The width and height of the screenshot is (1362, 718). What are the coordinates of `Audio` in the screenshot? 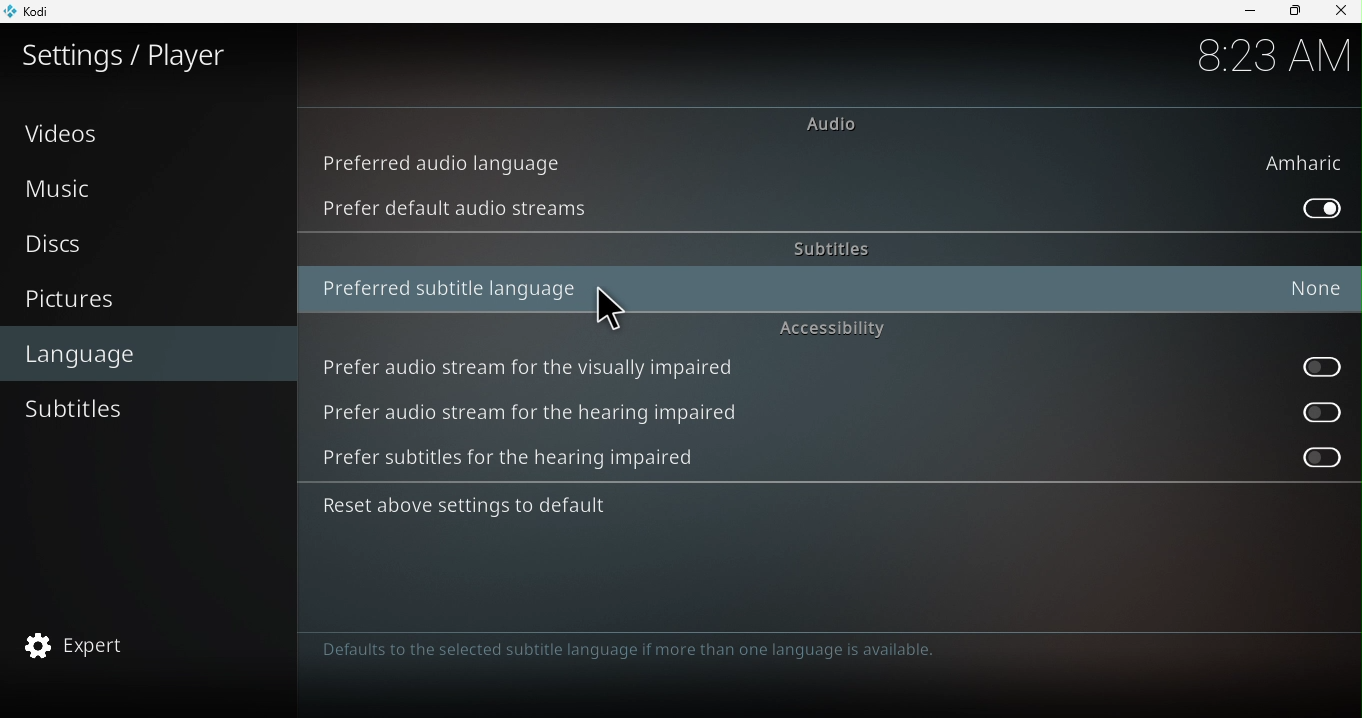 It's located at (828, 123).